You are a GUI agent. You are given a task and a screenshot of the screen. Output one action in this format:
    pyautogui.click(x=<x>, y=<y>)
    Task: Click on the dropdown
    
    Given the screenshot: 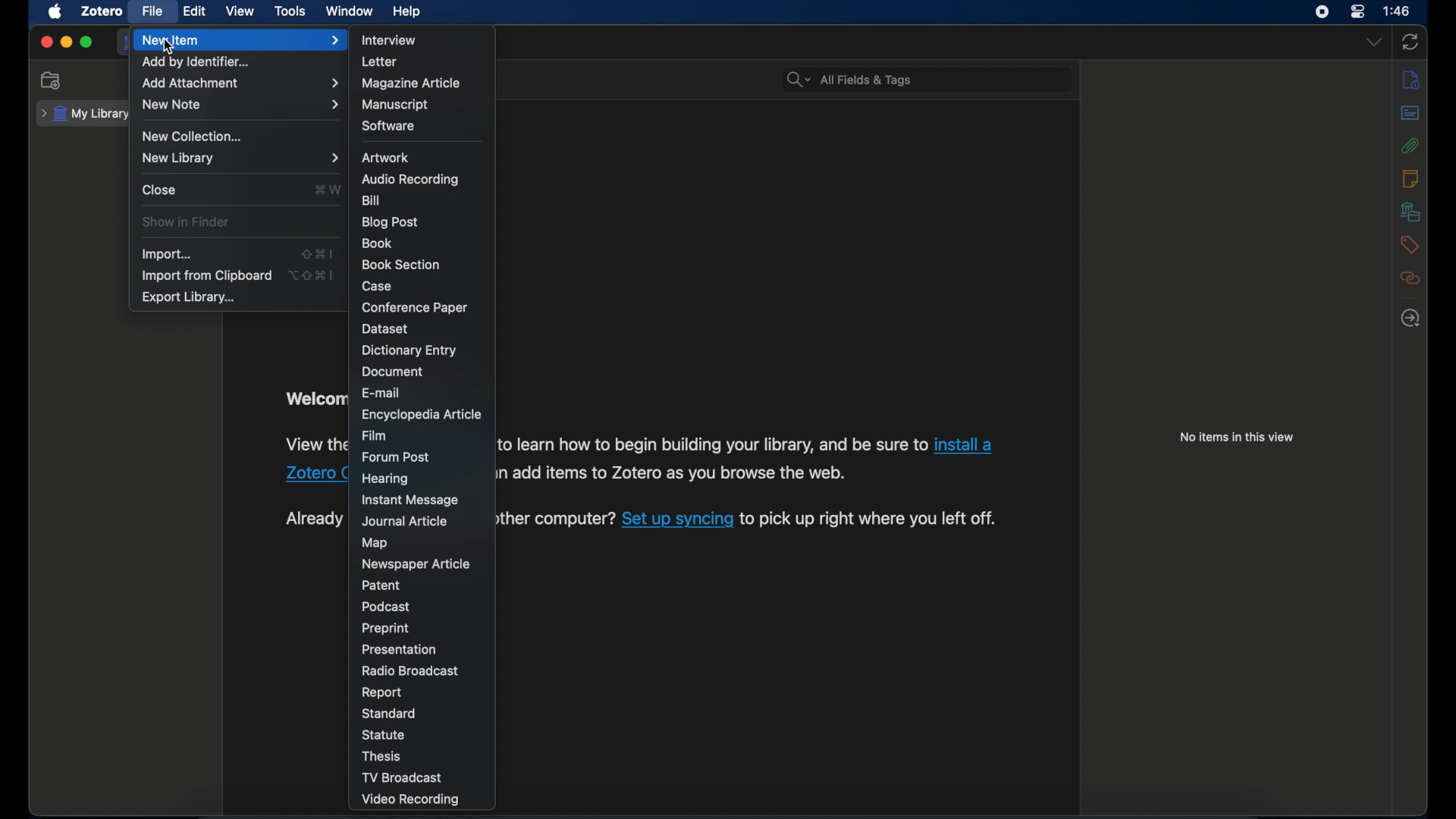 What is the action you would take?
    pyautogui.click(x=1373, y=42)
    